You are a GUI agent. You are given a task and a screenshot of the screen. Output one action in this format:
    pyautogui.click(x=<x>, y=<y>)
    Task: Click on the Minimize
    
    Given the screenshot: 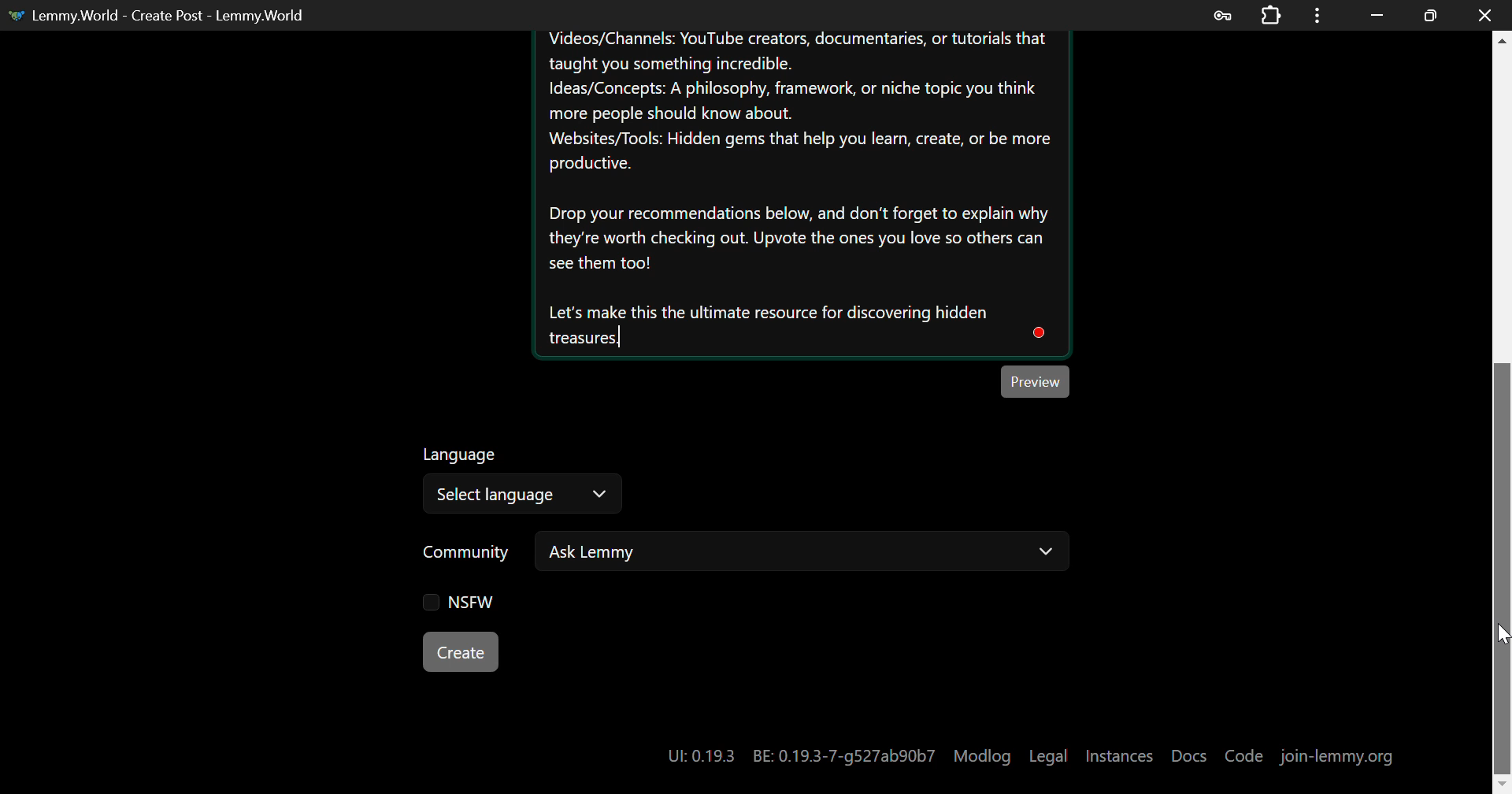 What is the action you would take?
    pyautogui.click(x=1431, y=16)
    